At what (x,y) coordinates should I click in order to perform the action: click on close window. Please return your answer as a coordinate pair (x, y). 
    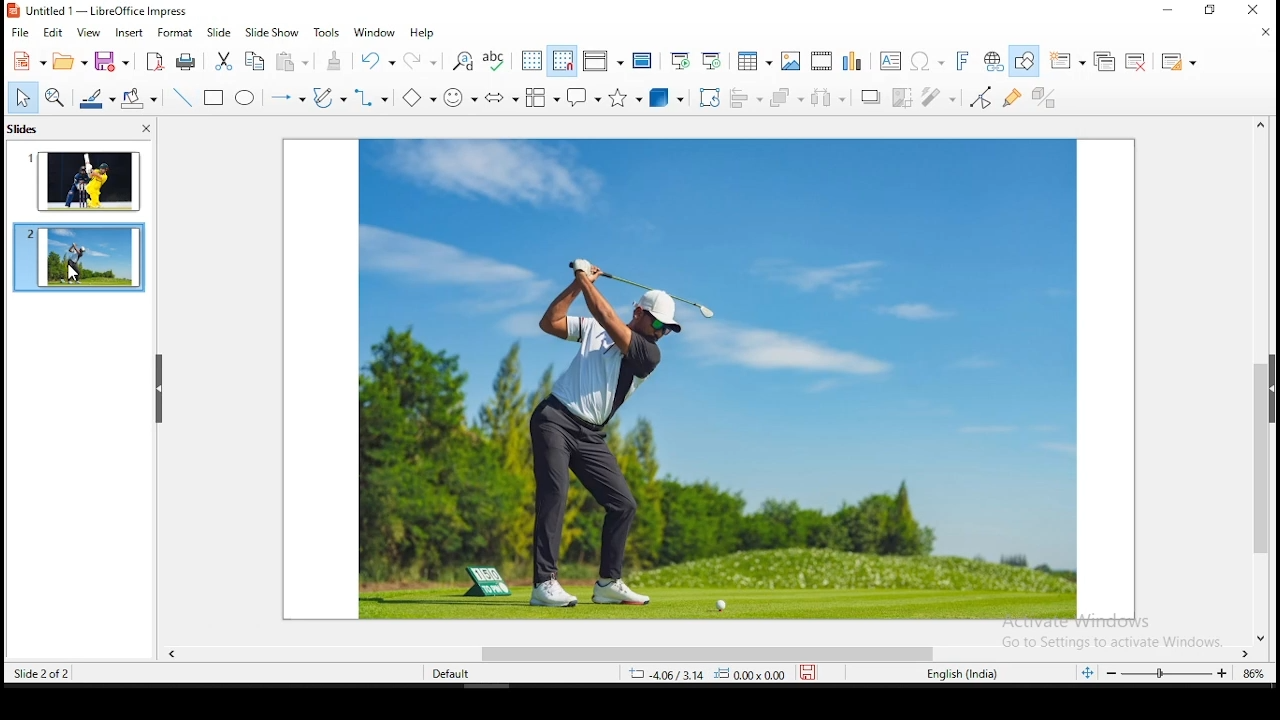
    Looking at the image, I should click on (1250, 9).